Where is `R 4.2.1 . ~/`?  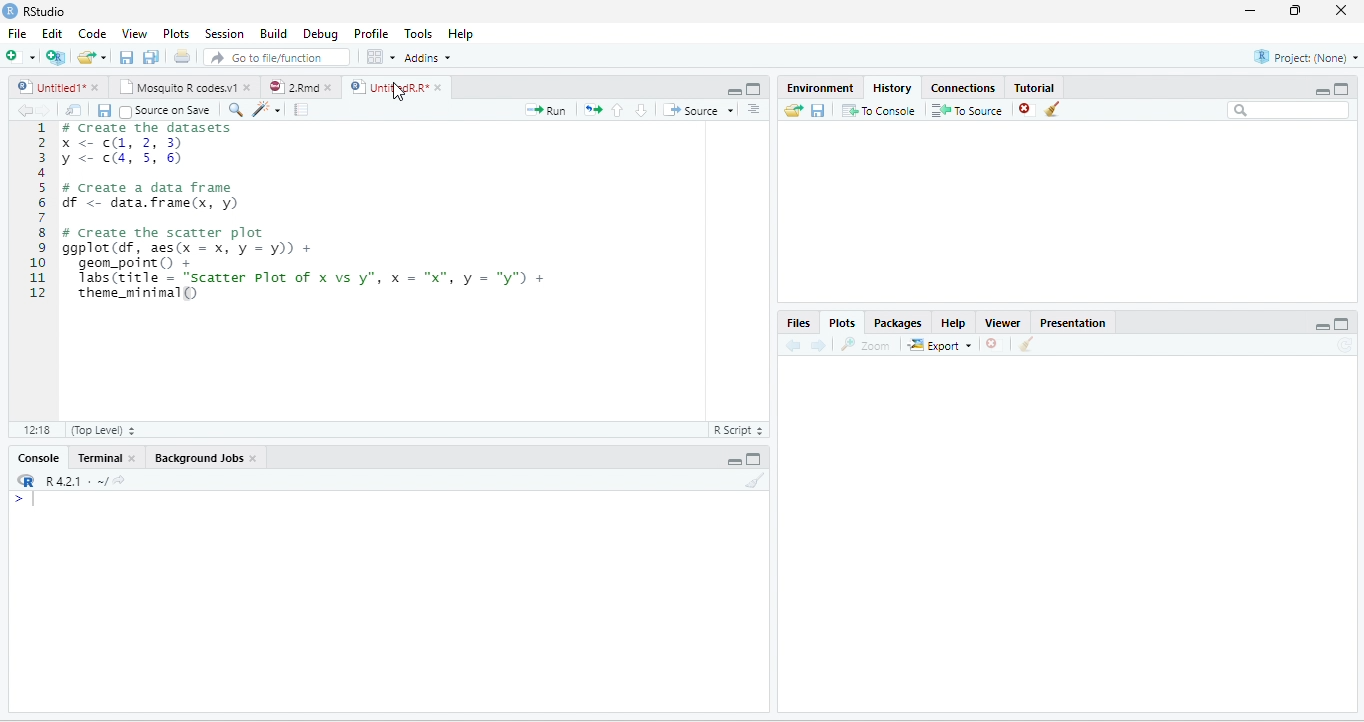 R 4.2.1 . ~/ is located at coordinates (75, 481).